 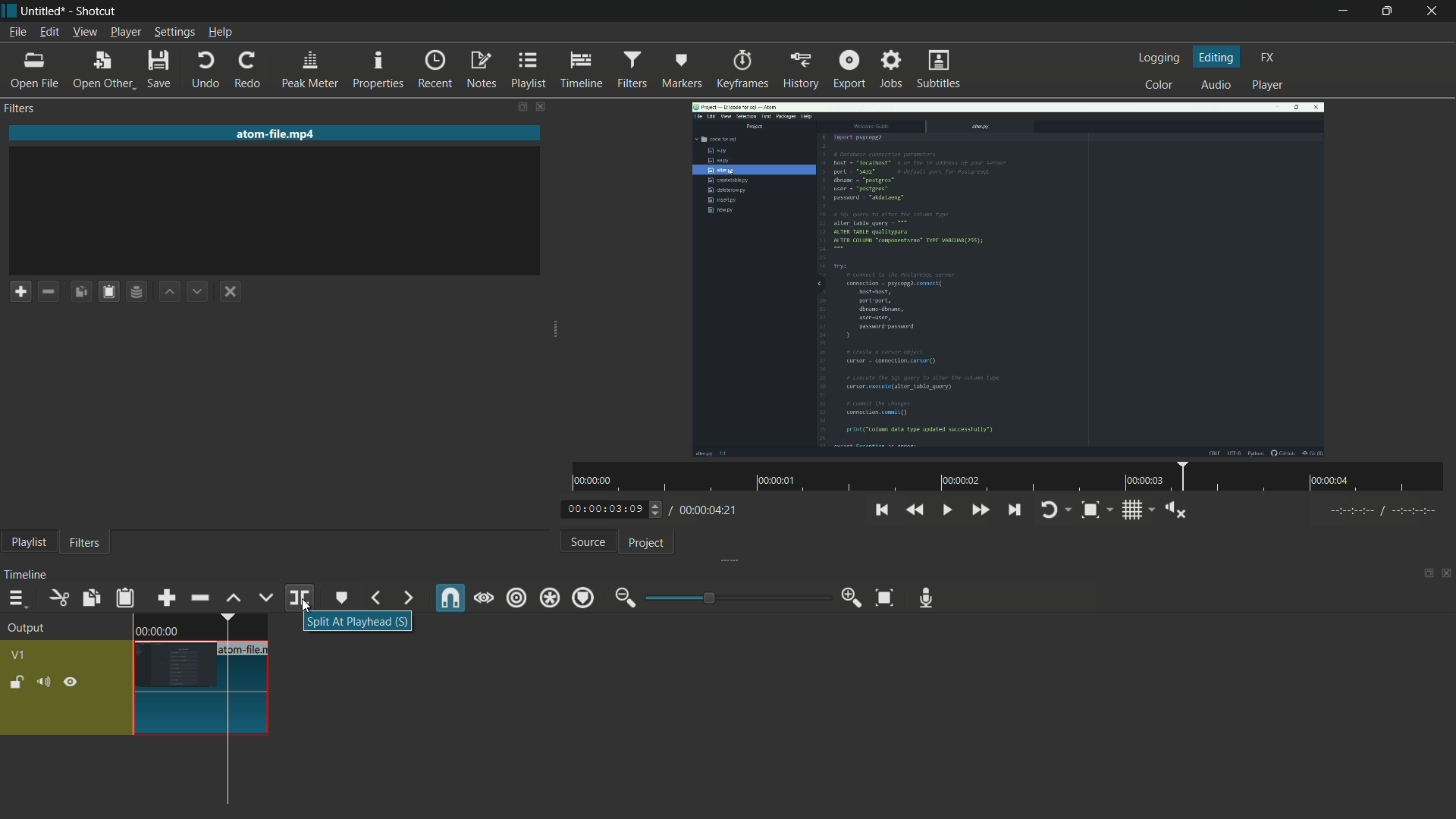 I want to click on notes, so click(x=483, y=70).